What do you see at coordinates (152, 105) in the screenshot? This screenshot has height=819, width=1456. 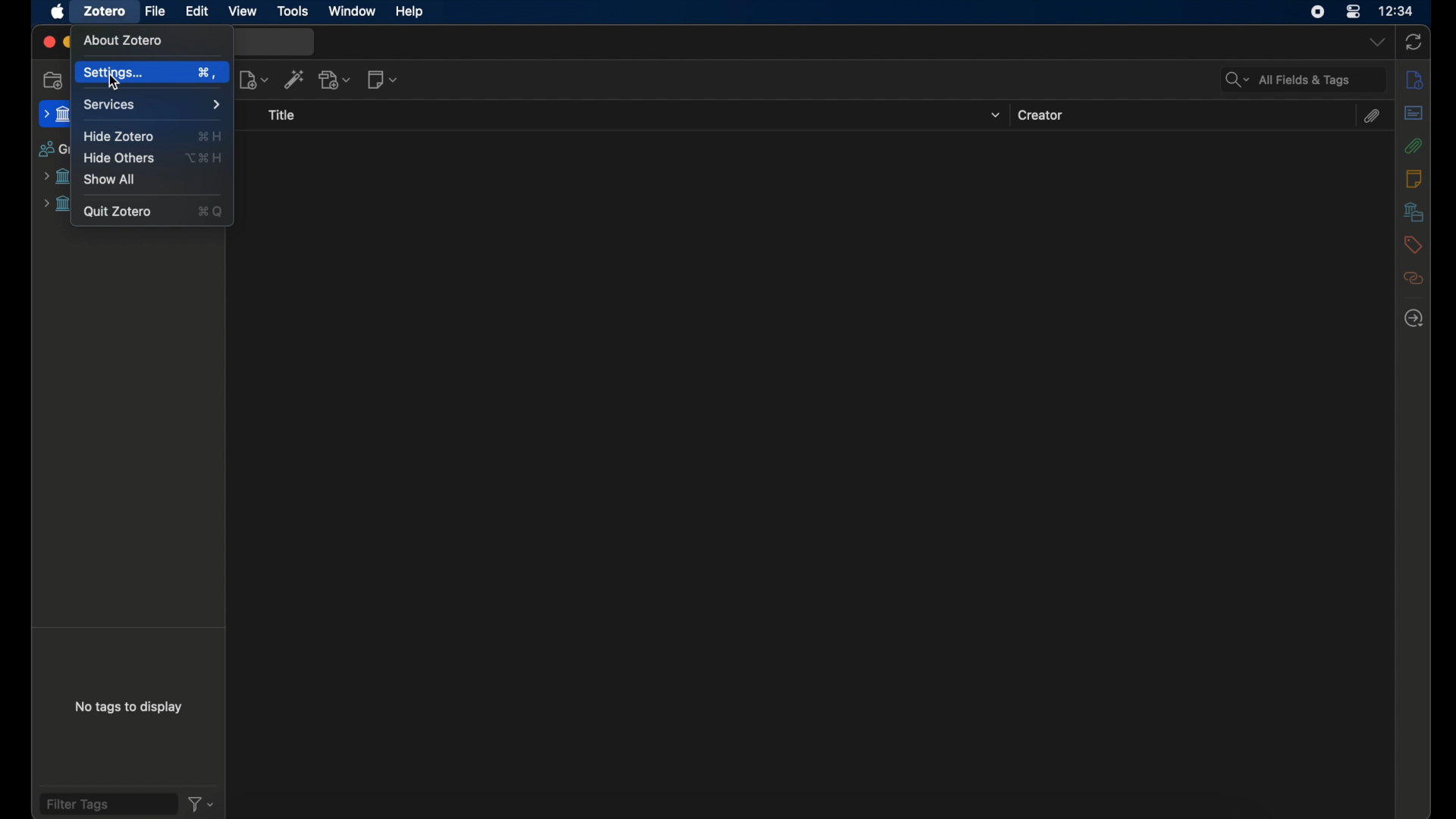 I see `services menu` at bounding box center [152, 105].